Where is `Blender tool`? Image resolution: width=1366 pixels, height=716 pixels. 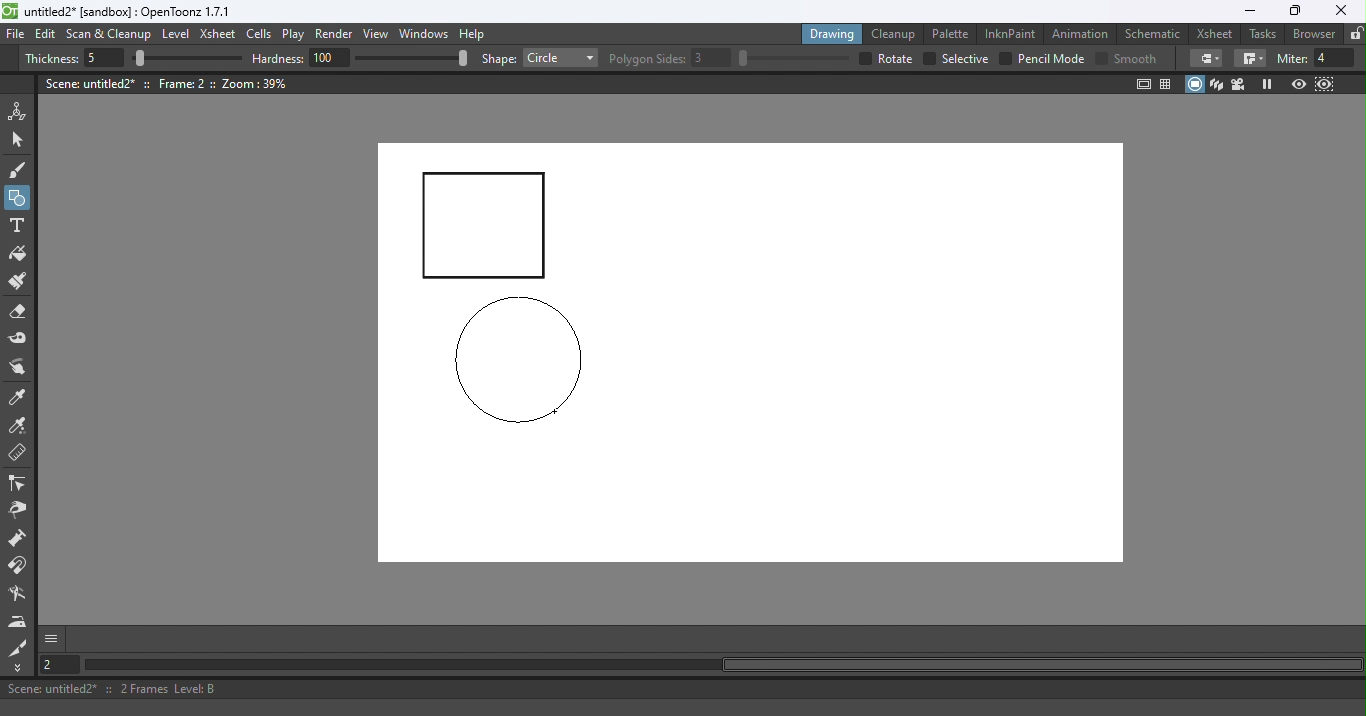
Blender tool is located at coordinates (21, 595).